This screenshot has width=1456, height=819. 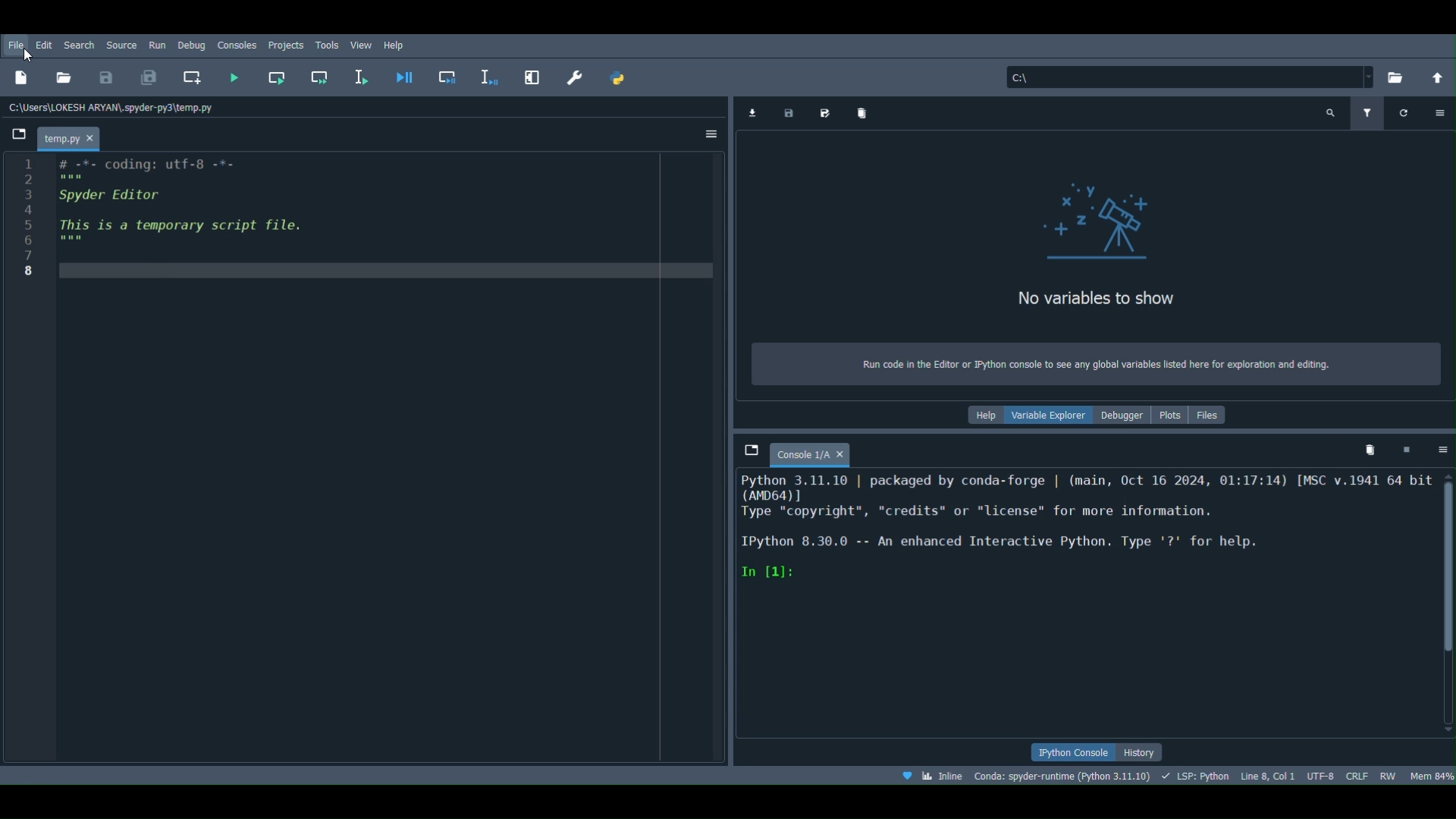 What do you see at coordinates (446, 77) in the screenshot?
I see `Debug cell` at bounding box center [446, 77].